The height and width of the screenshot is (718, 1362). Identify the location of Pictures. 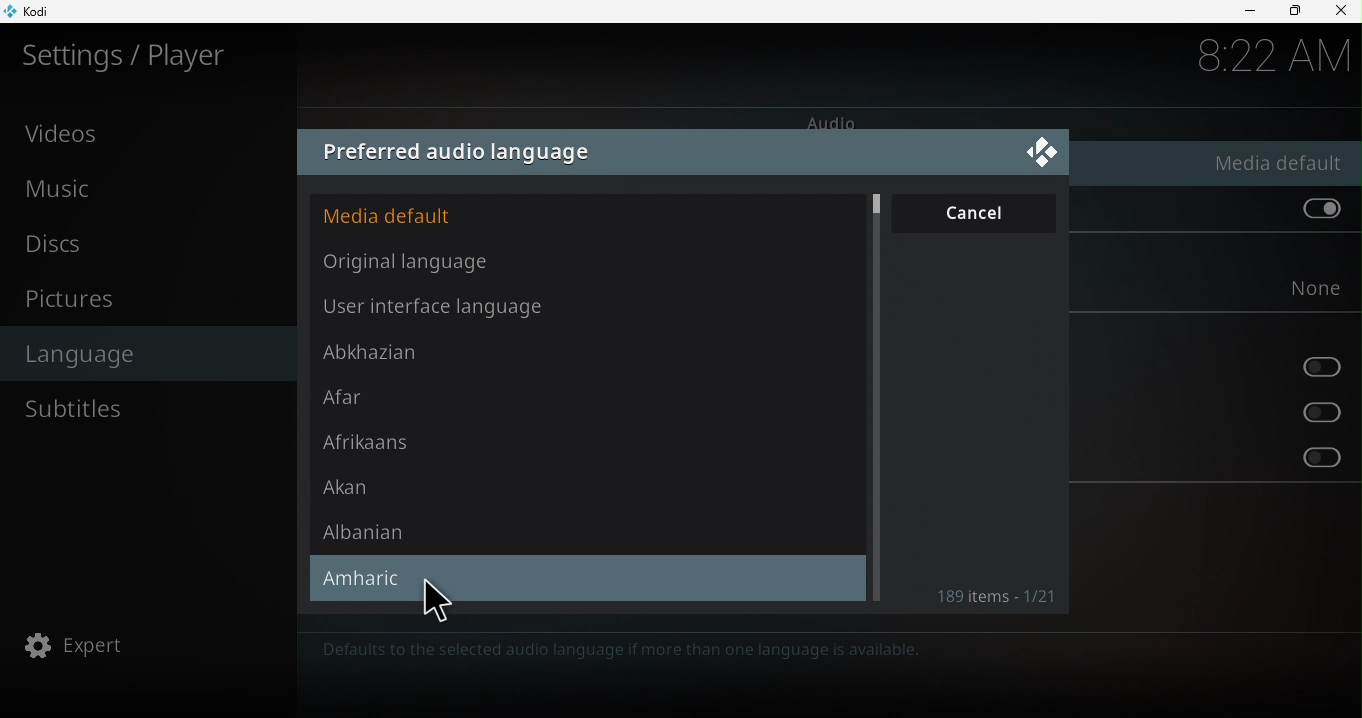
(147, 301).